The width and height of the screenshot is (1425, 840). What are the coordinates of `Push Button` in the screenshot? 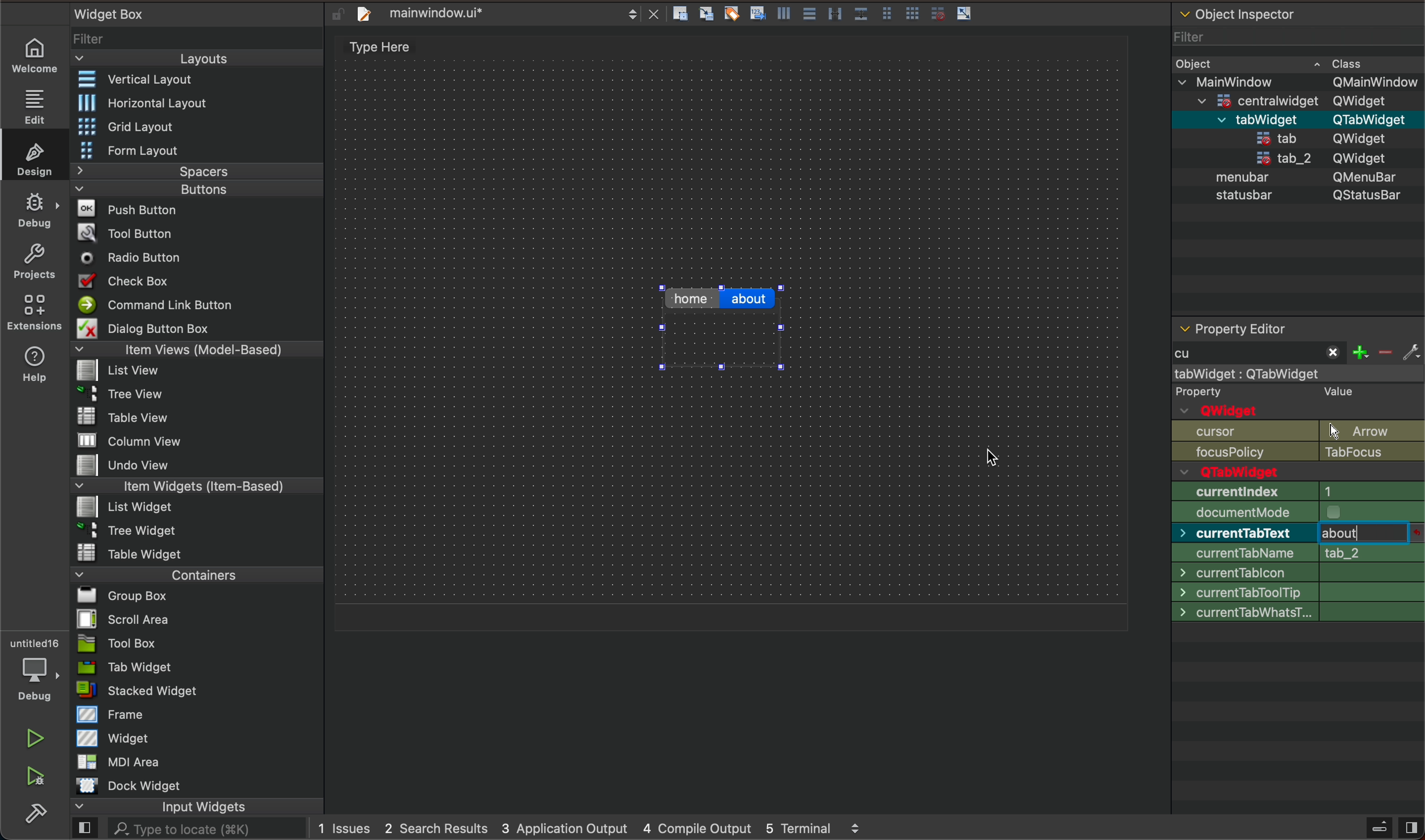 It's located at (119, 209).